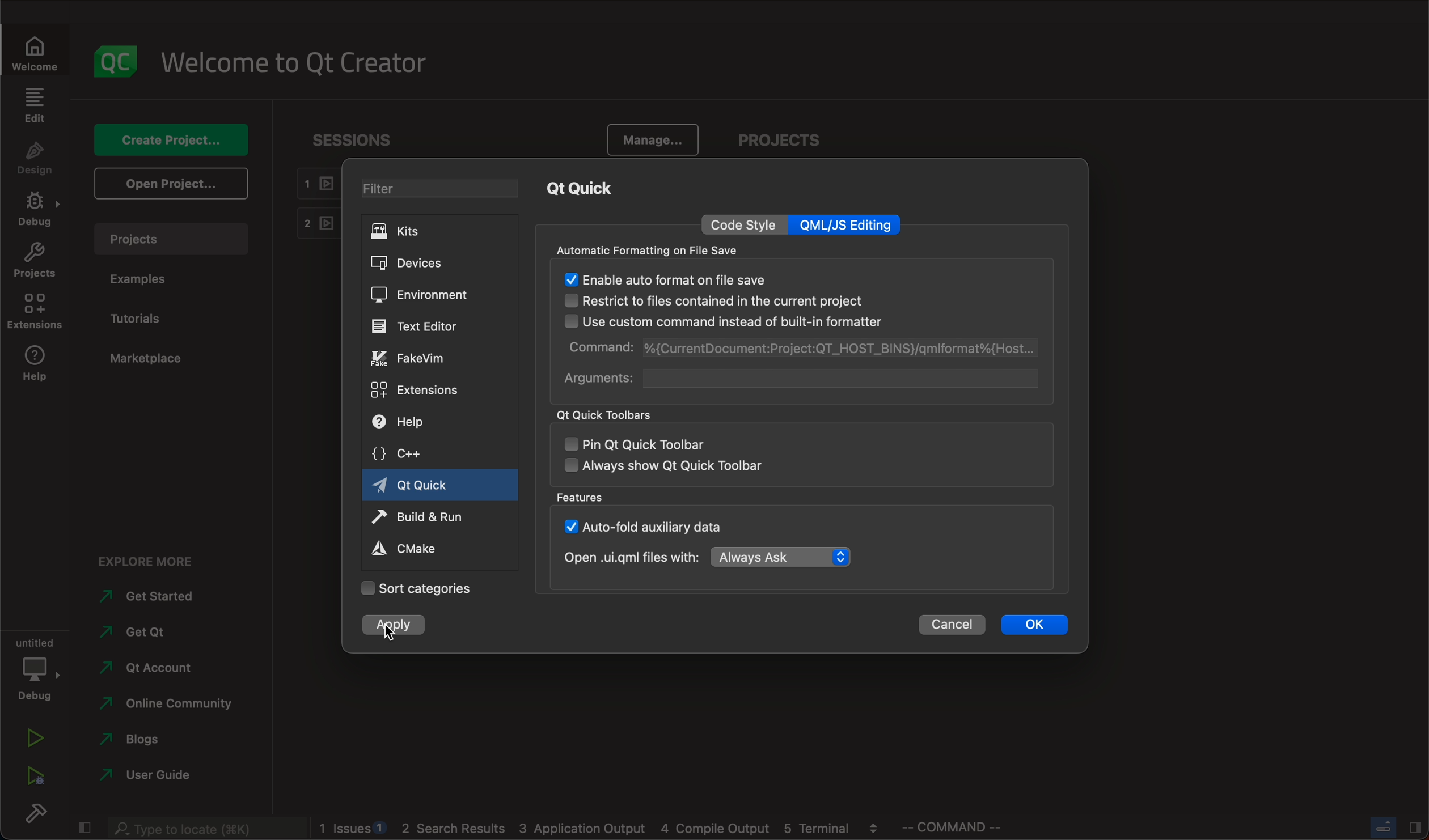 This screenshot has height=840, width=1429. I want to click on build, so click(36, 810).